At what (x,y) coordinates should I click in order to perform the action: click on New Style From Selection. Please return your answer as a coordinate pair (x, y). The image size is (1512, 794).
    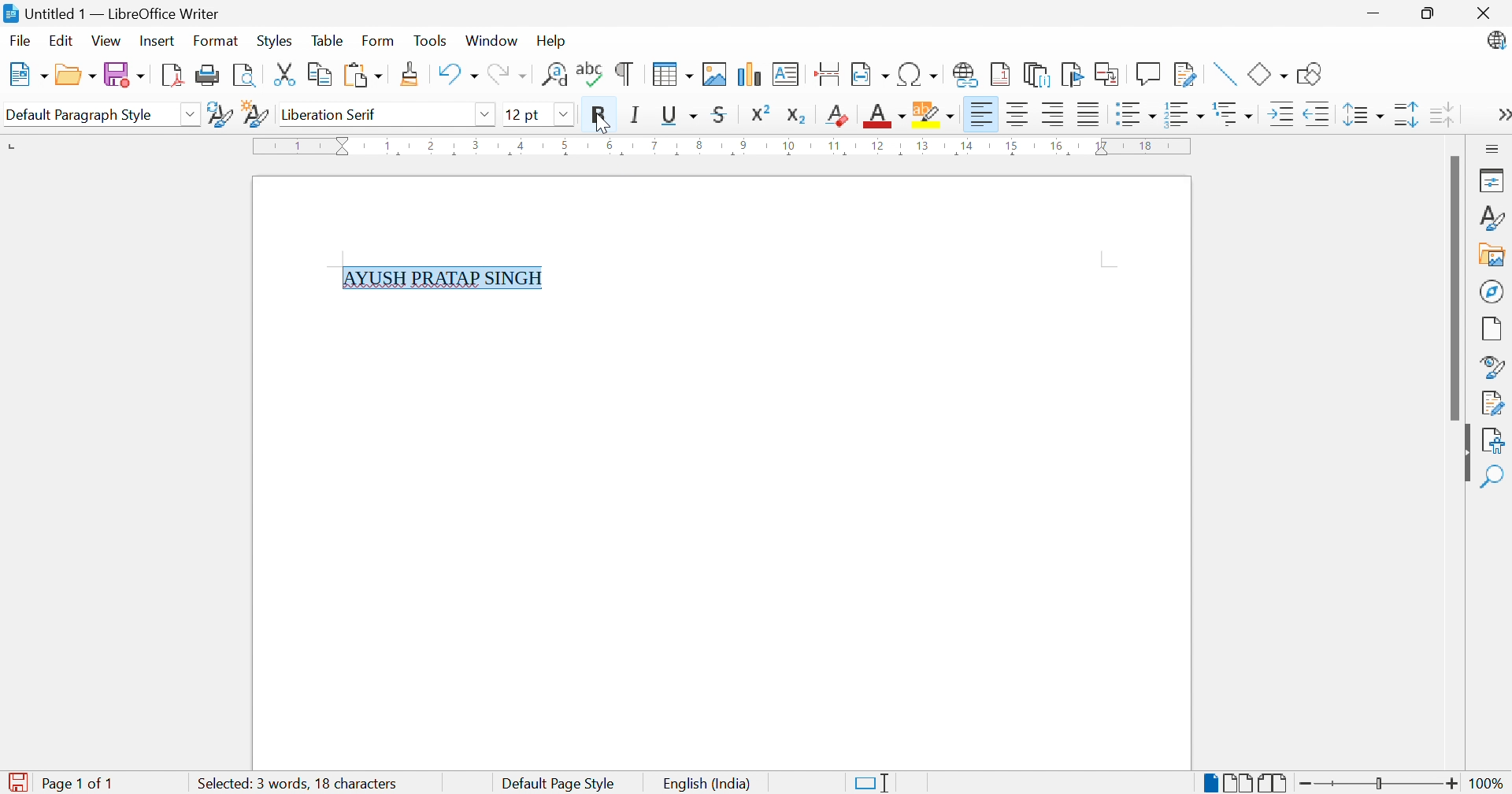
    Looking at the image, I should click on (258, 114).